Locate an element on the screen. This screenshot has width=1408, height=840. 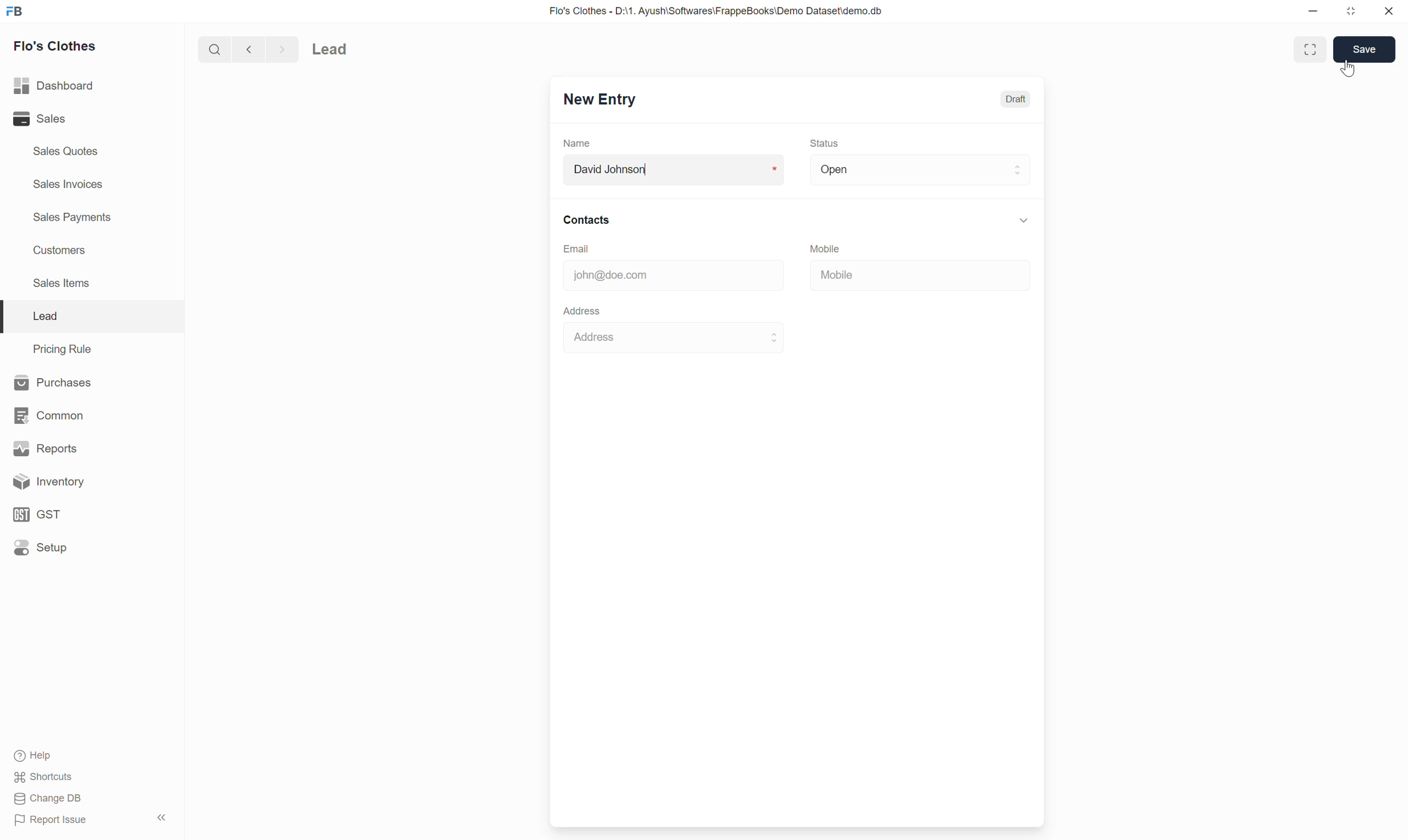
john@doe.com is located at coordinates (661, 276).